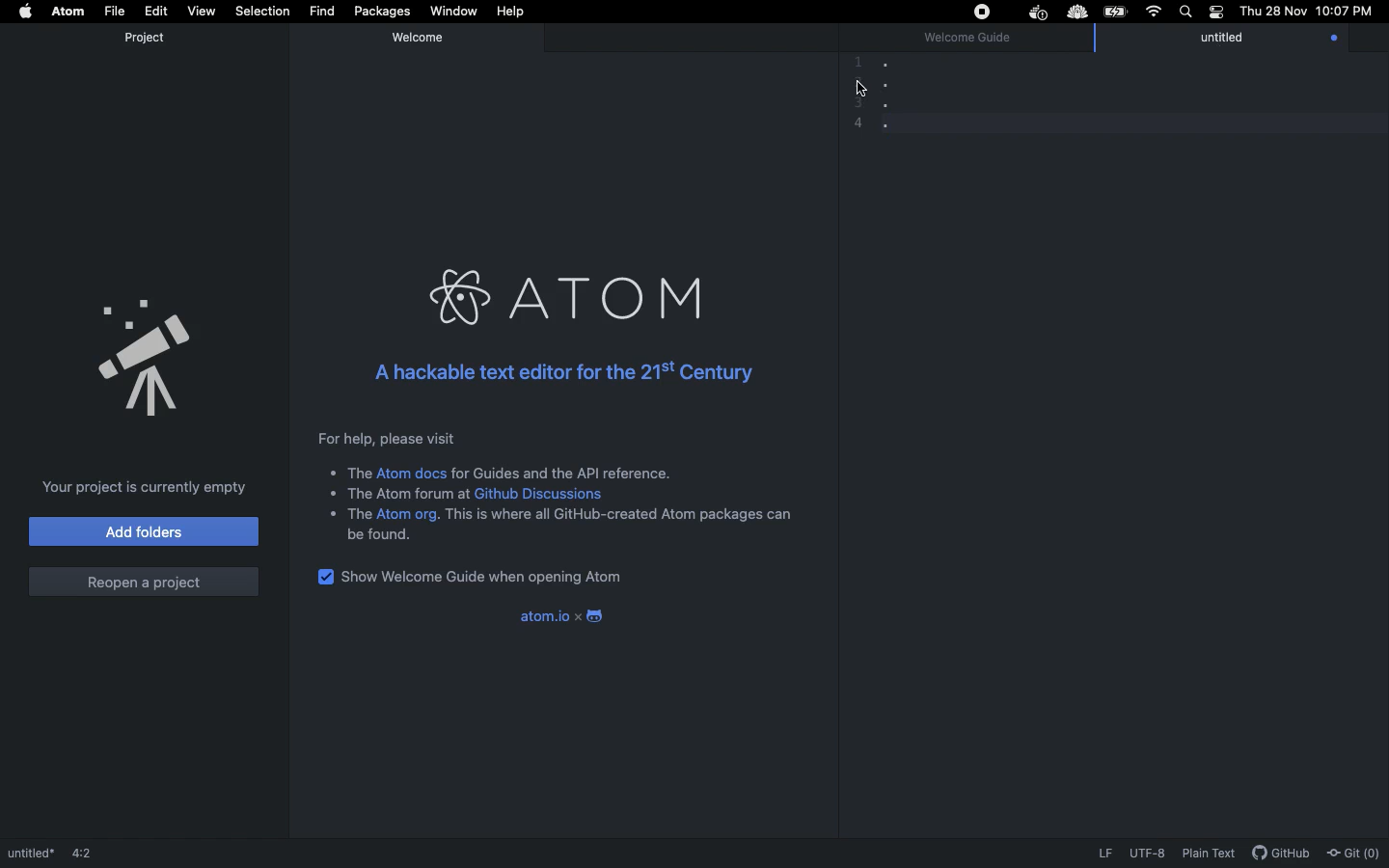 The width and height of the screenshot is (1389, 868). I want to click on Descriptive text, so click(382, 439).